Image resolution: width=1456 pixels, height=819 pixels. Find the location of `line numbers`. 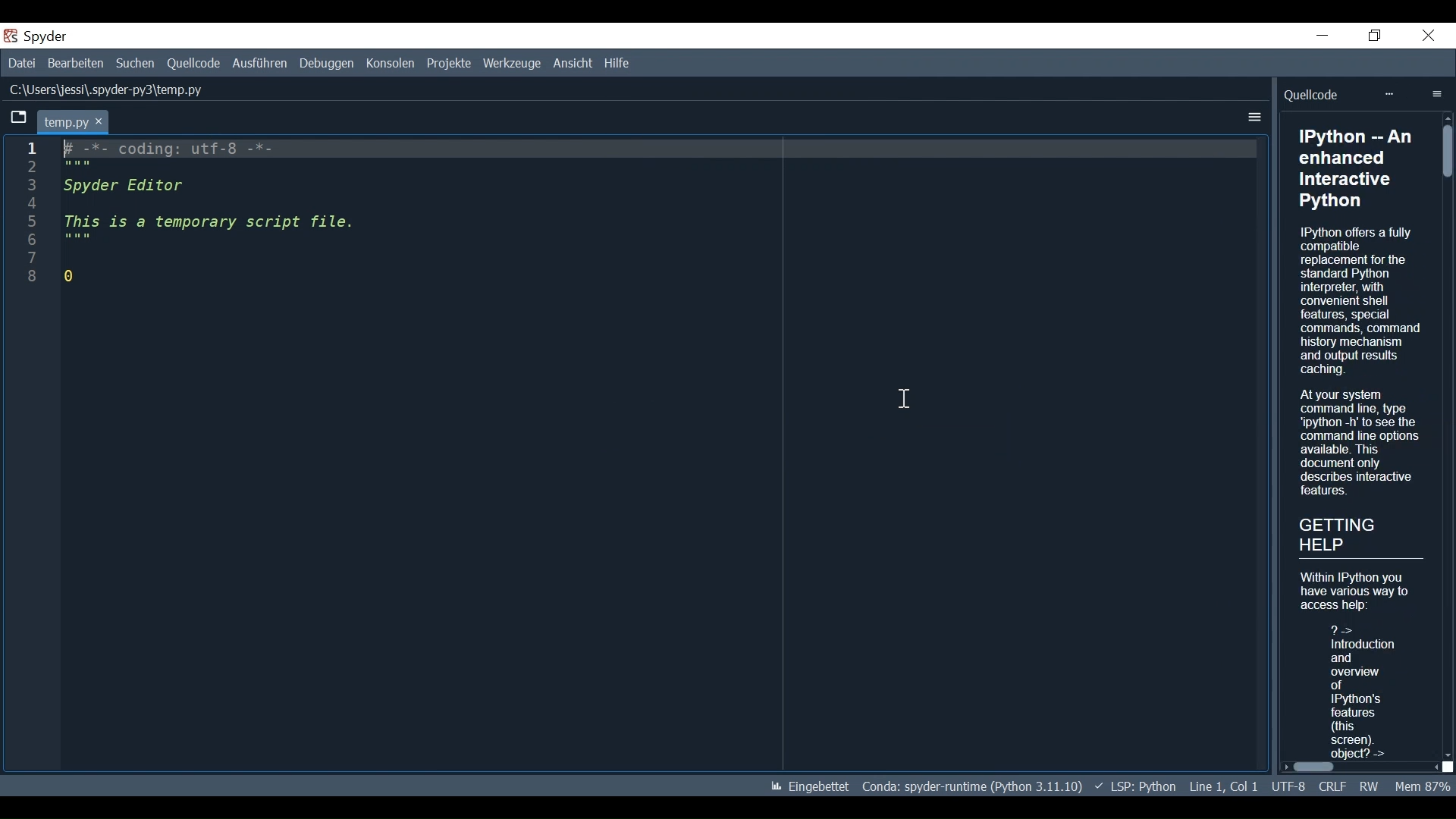

line numbers is located at coordinates (29, 221).